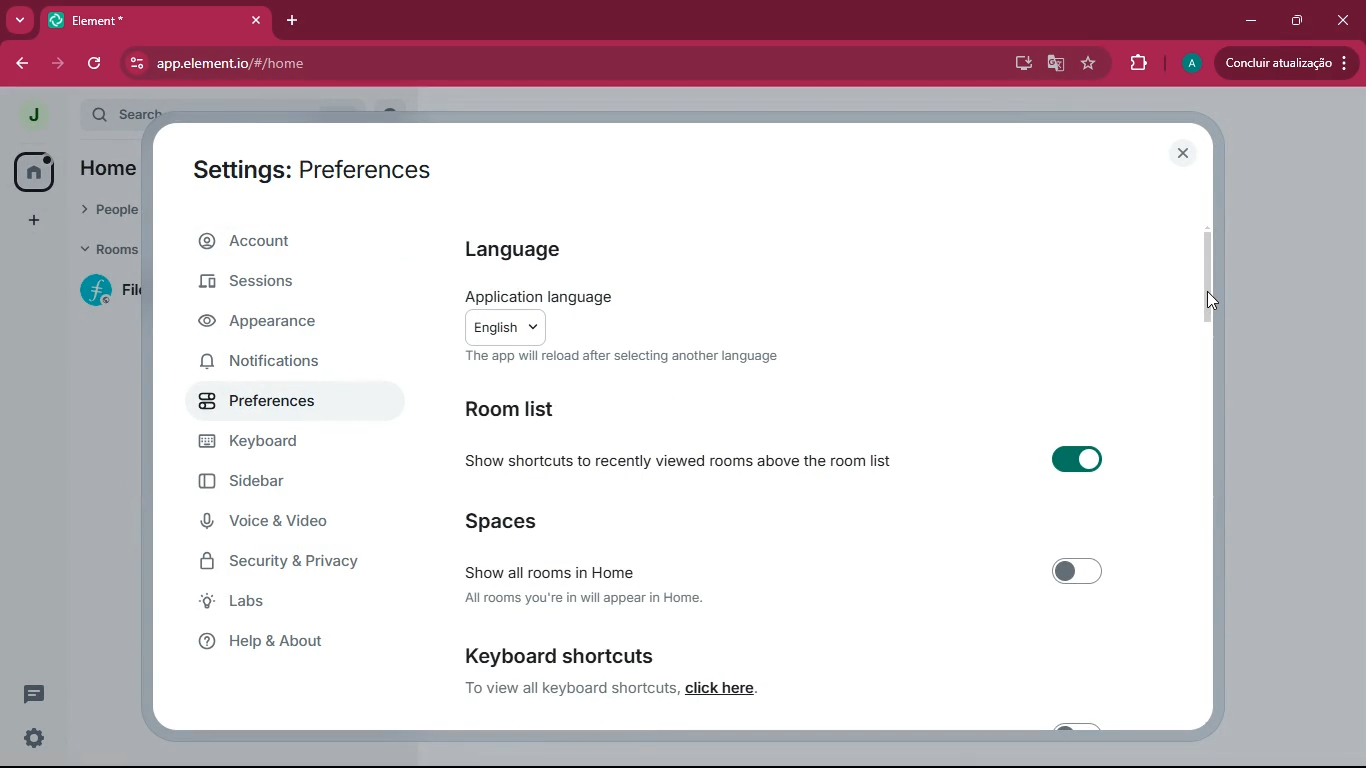 This screenshot has height=768, width=1366. Describe the element at coordinates (1213, 300) in the screenshot. I see `mouse down` at that location.